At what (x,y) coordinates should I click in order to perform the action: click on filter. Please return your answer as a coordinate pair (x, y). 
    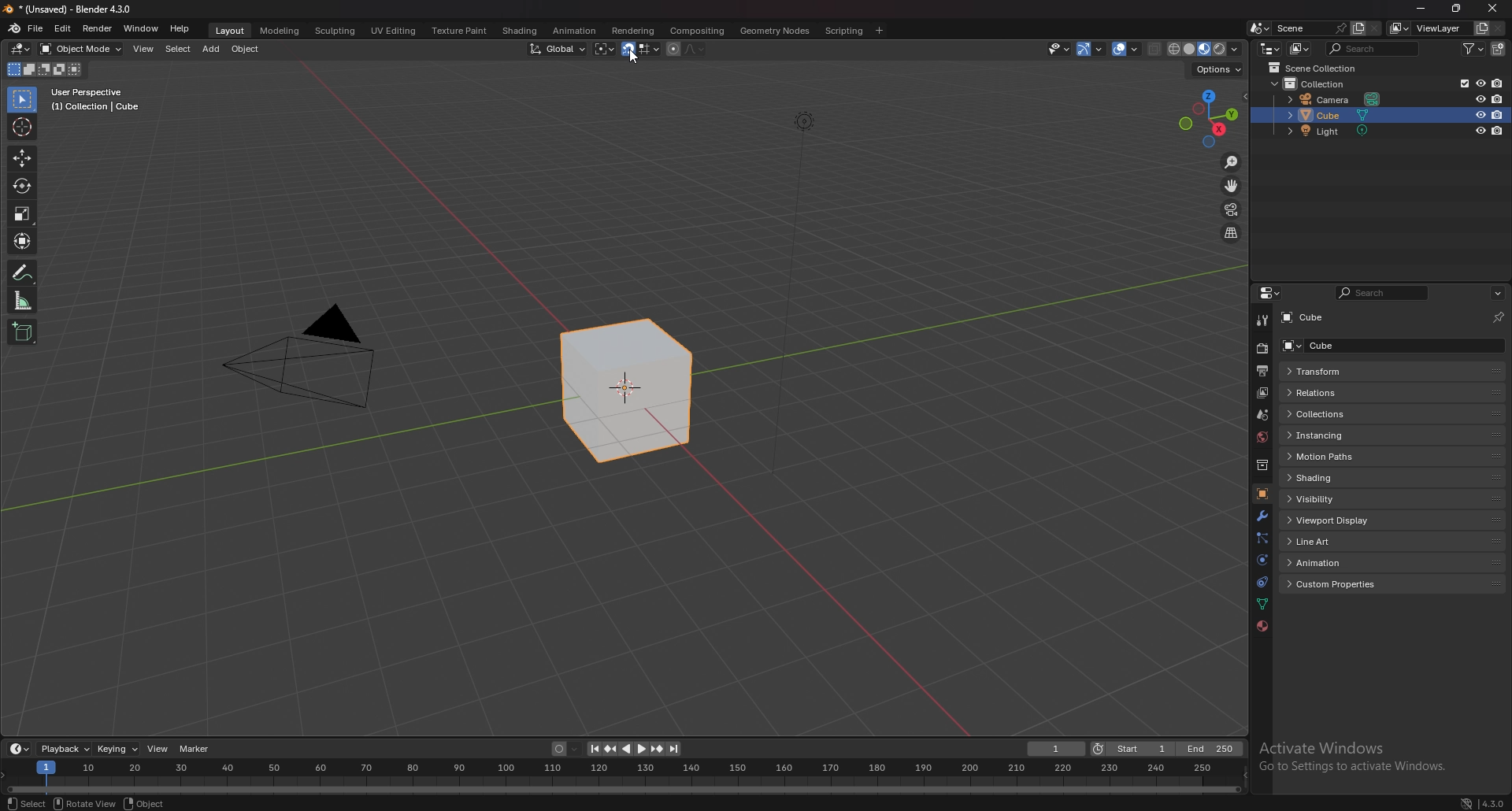
    Looking at the image, I should click on (1473, 48).